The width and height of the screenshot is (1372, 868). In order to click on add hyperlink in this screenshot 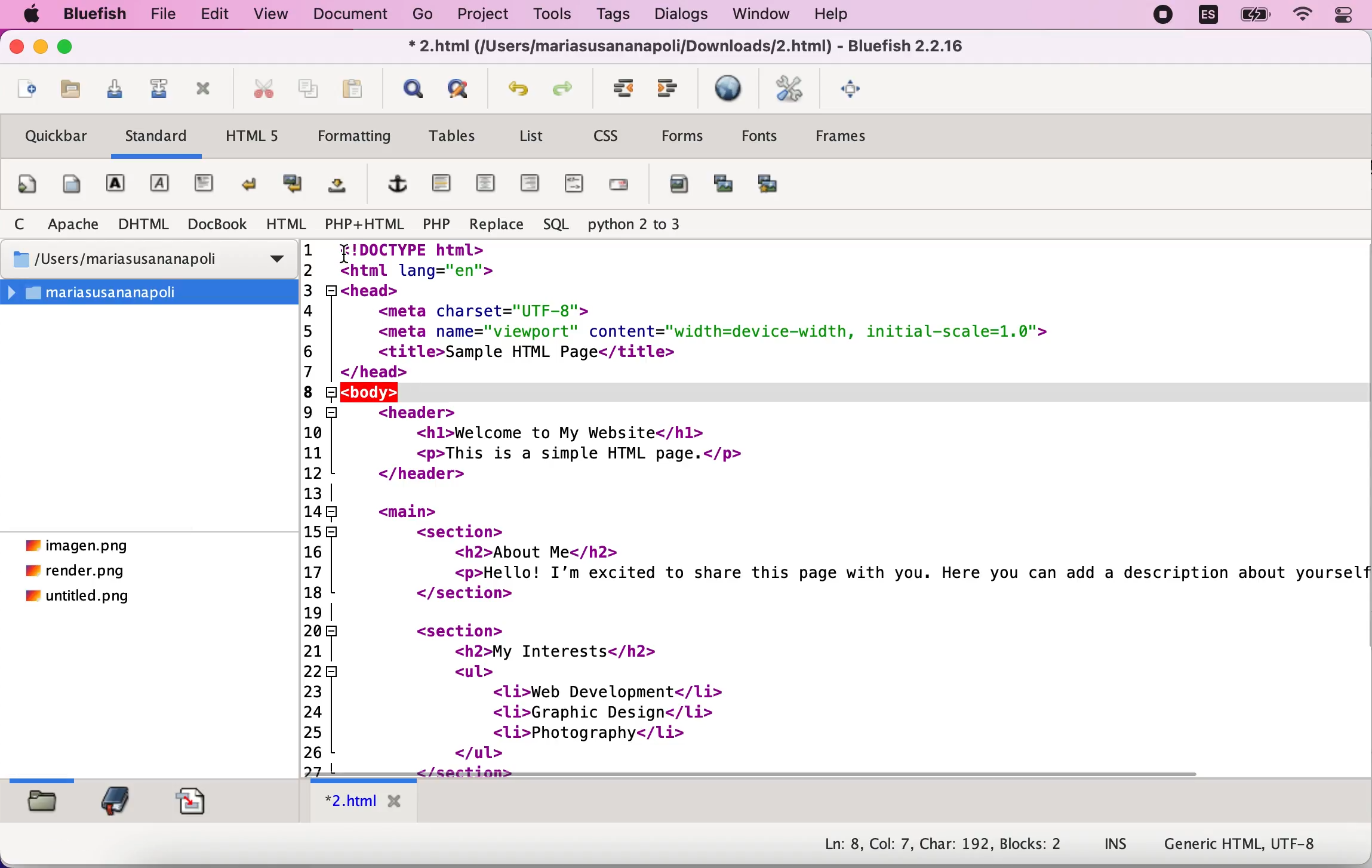, I will do `click(398, 187)`.